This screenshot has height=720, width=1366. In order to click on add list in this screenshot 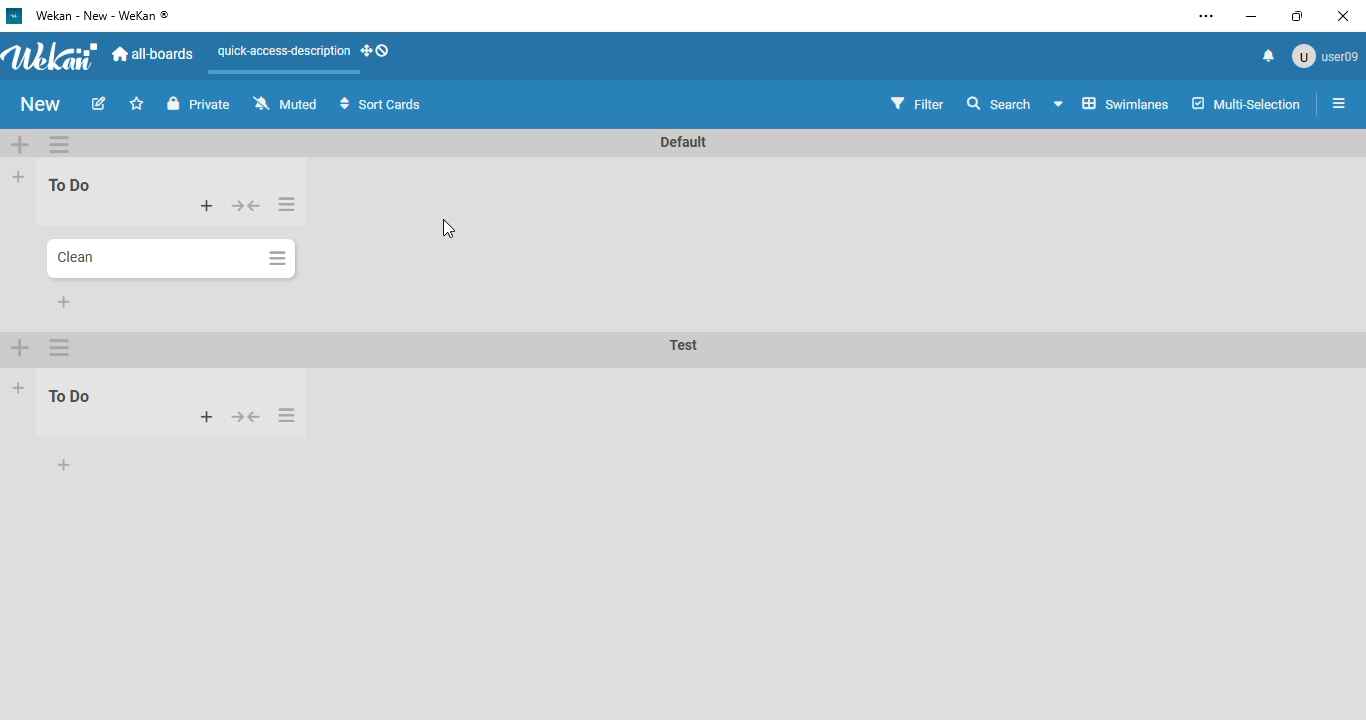, I will do `click(19, 175)`.